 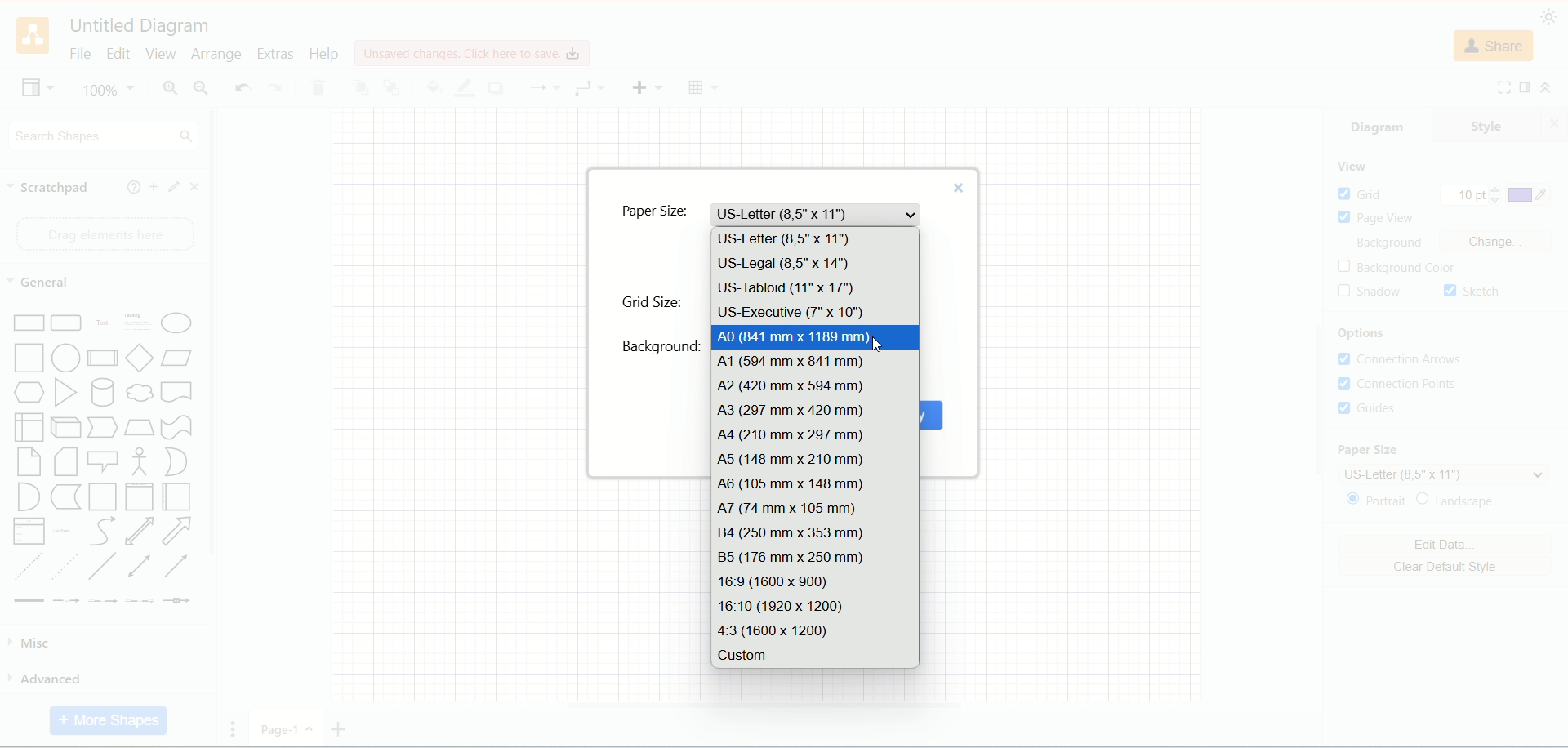 What do you see at coordinates (462, 87) in the screenshot?
I see `line color` at bounding box center [462, 87].